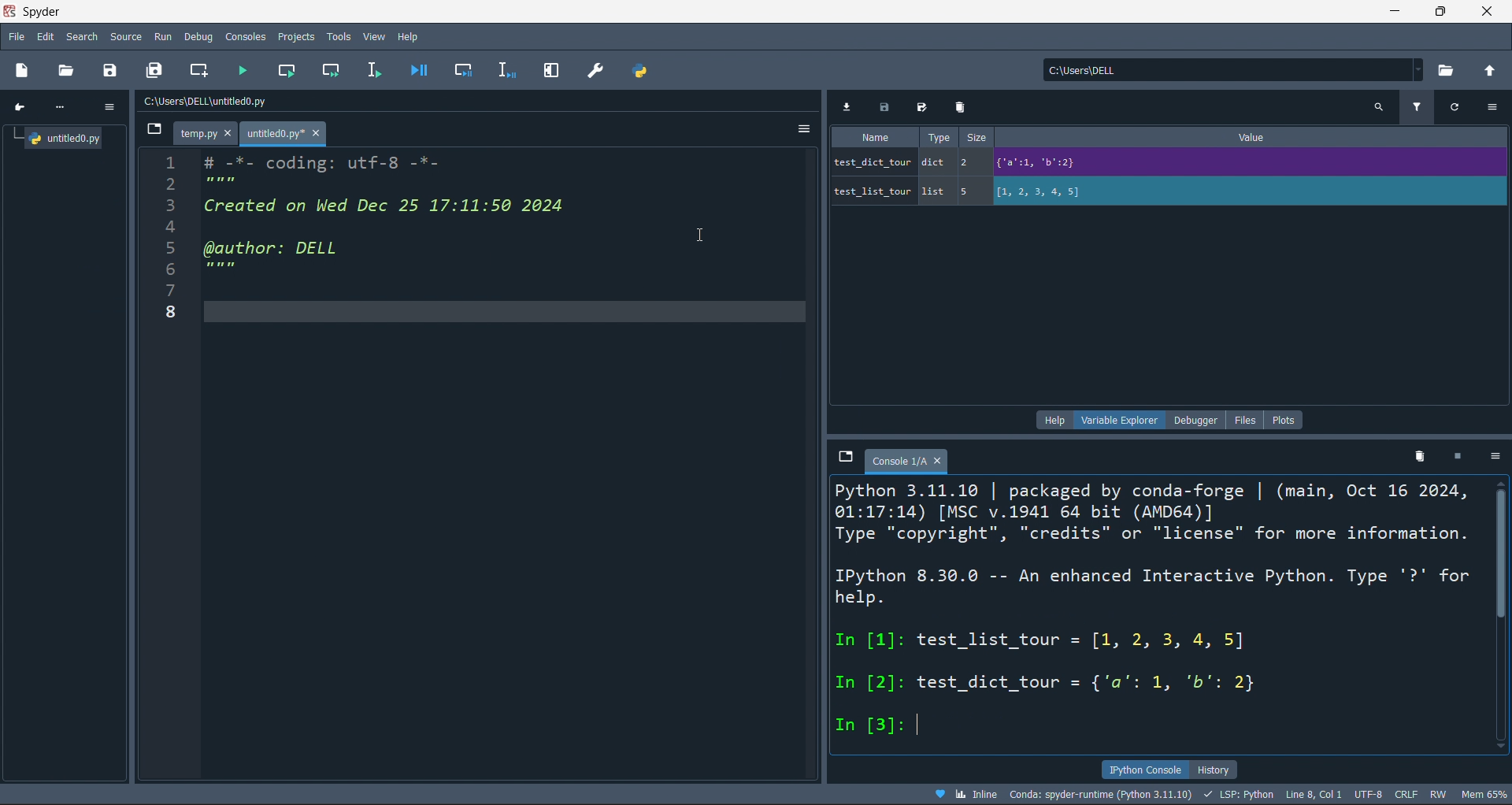 This screenshot has height=805, width=1512. Describe the element at coordinates (806, 128) in the screenshot. I see `more options` at that location.